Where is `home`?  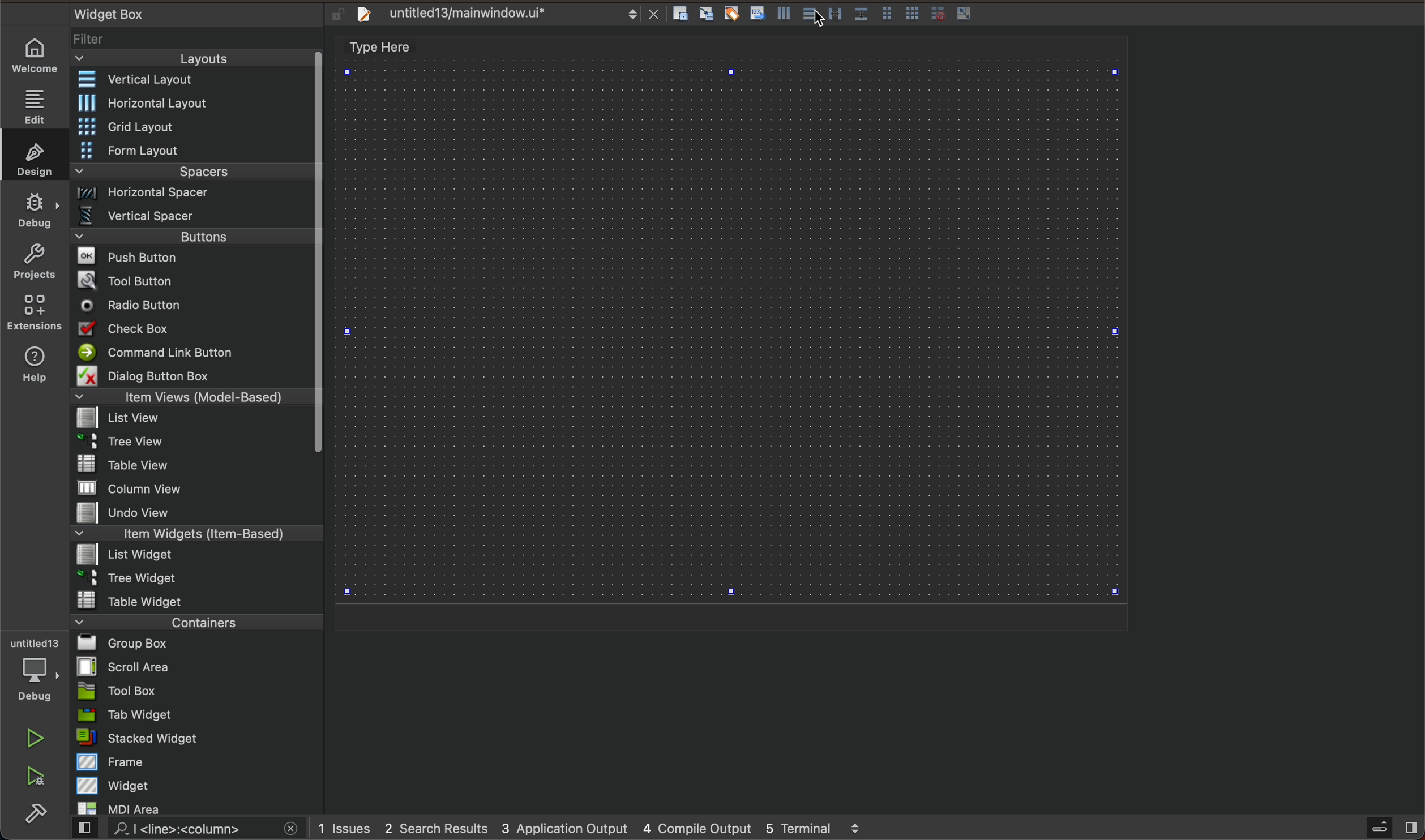 home is located at coordinates (37, 57).